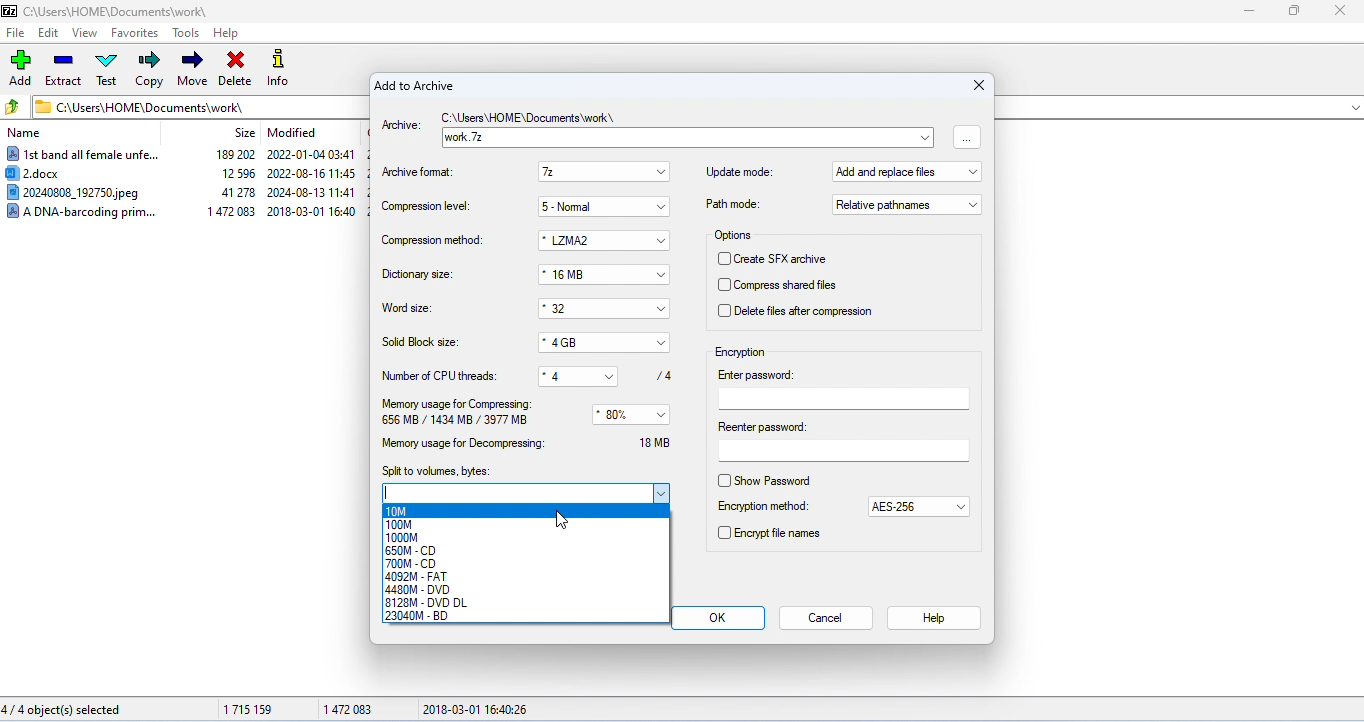 Image resolution: width=1364 pixels, height=722 pixels. What do you see at coordinates (420, 590) in the screenshot?
I see `4480M-DVD` at bounding box center [420, 590].